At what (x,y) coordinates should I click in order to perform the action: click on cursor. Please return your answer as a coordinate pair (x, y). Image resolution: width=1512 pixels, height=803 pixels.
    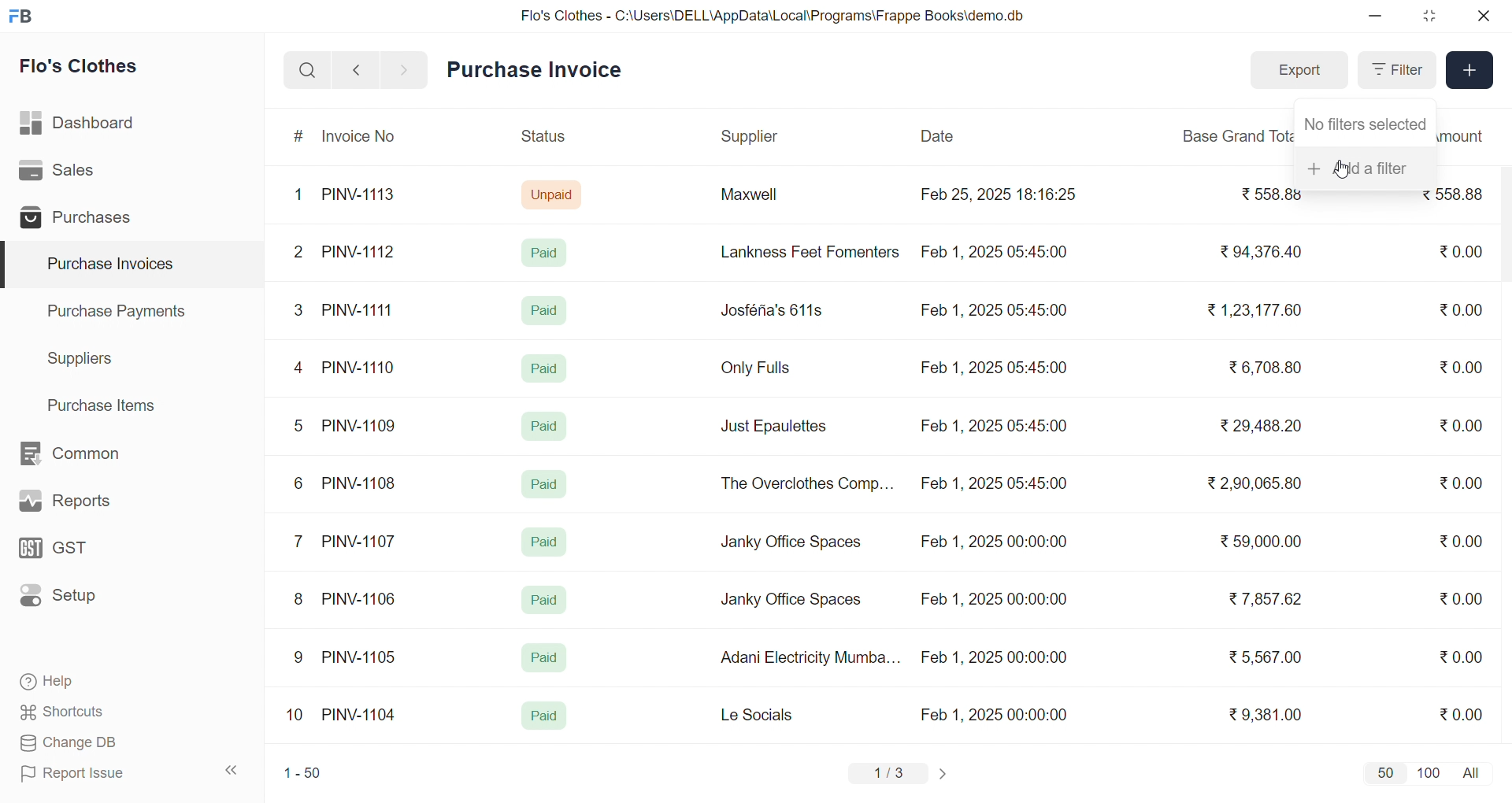
    Looking at the image, I should click on (1341, 169).